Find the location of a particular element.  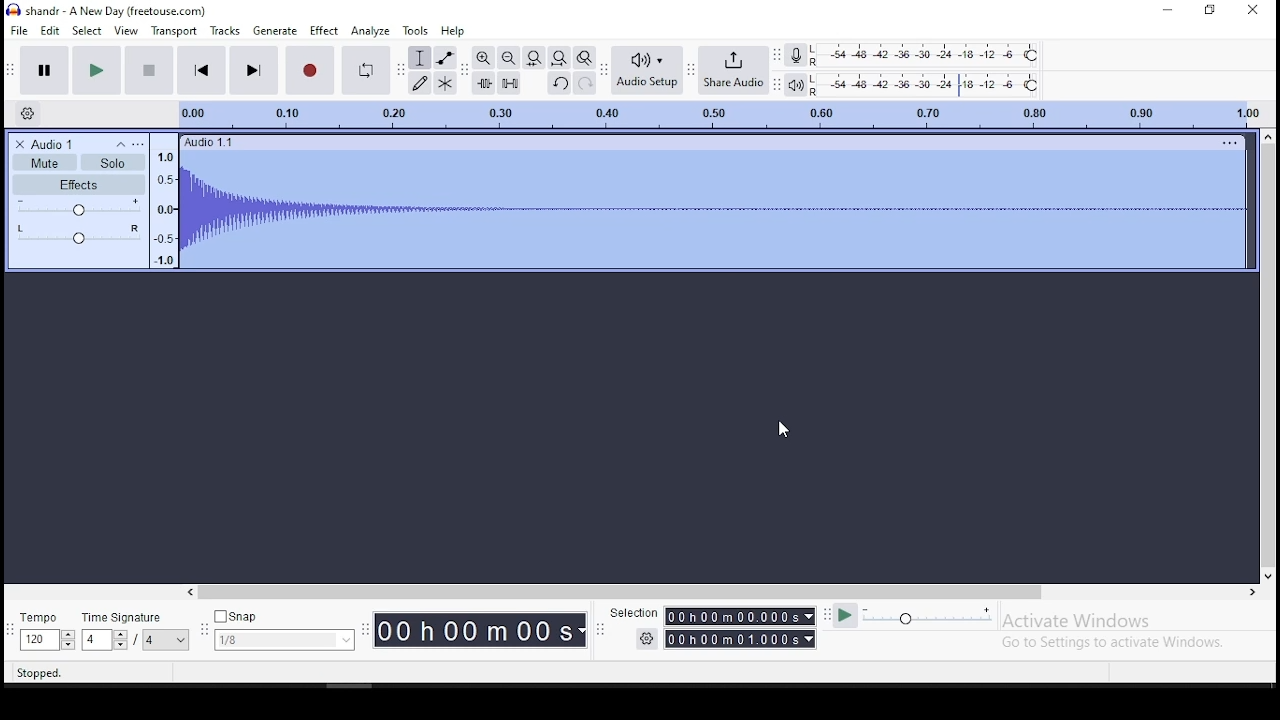

envelope tool is located at coordinates (445, 57).